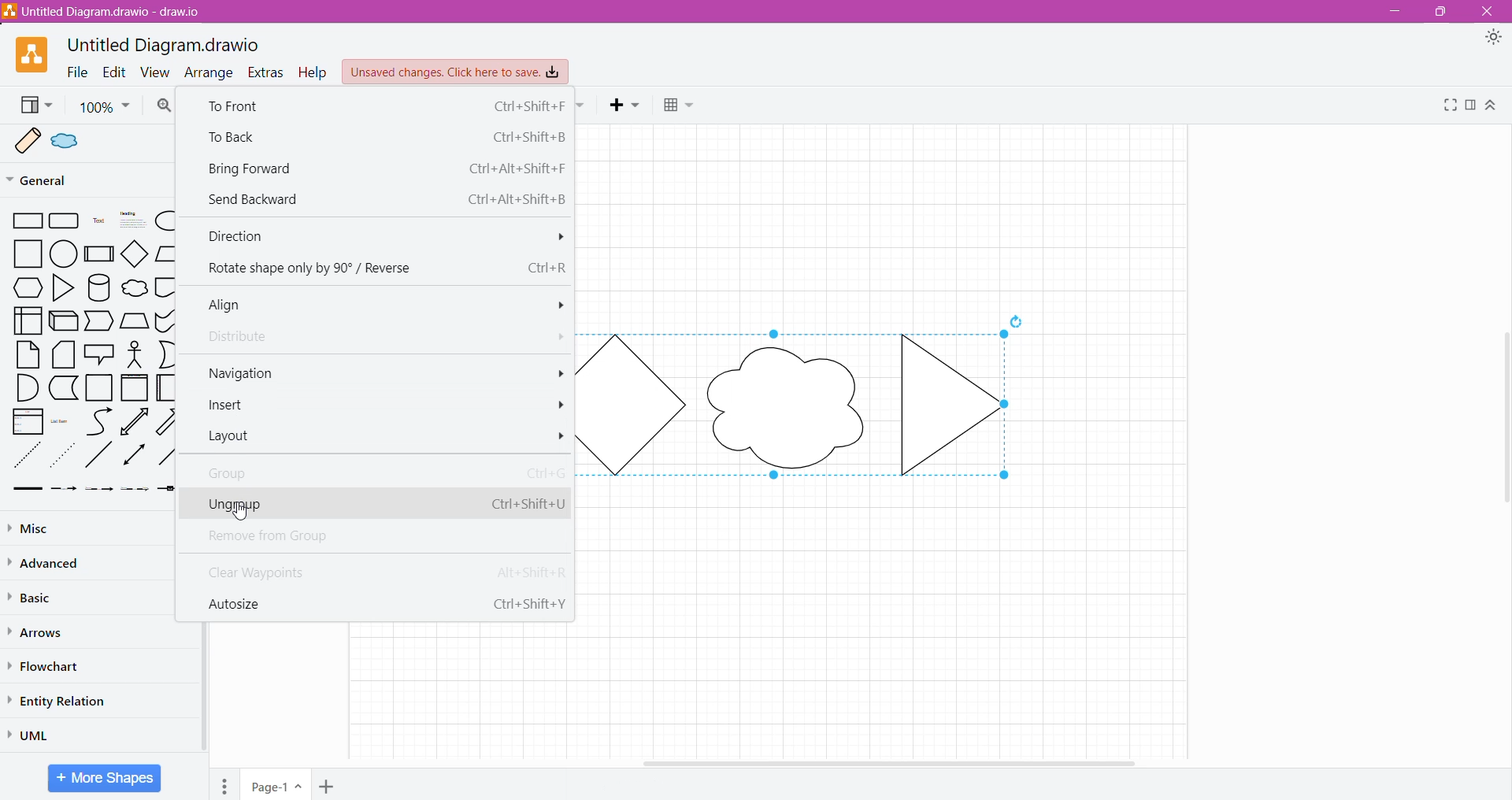 The width and height of the screenshot is (1512, 800). I want to click on Expand/Collapse, so click(1491, 107).